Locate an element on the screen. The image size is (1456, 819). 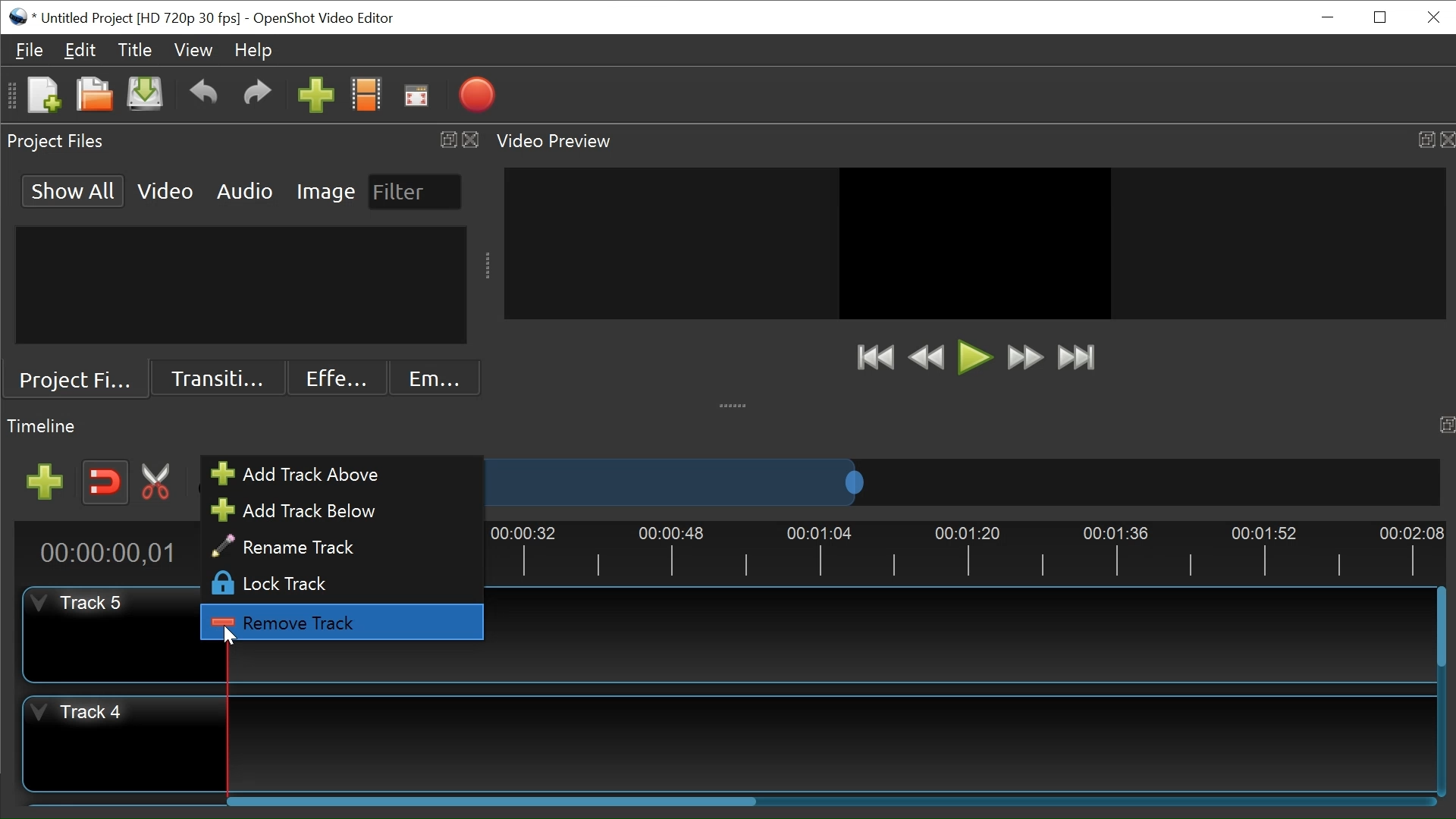
Add Track Below is located at coordinates (335, 510).